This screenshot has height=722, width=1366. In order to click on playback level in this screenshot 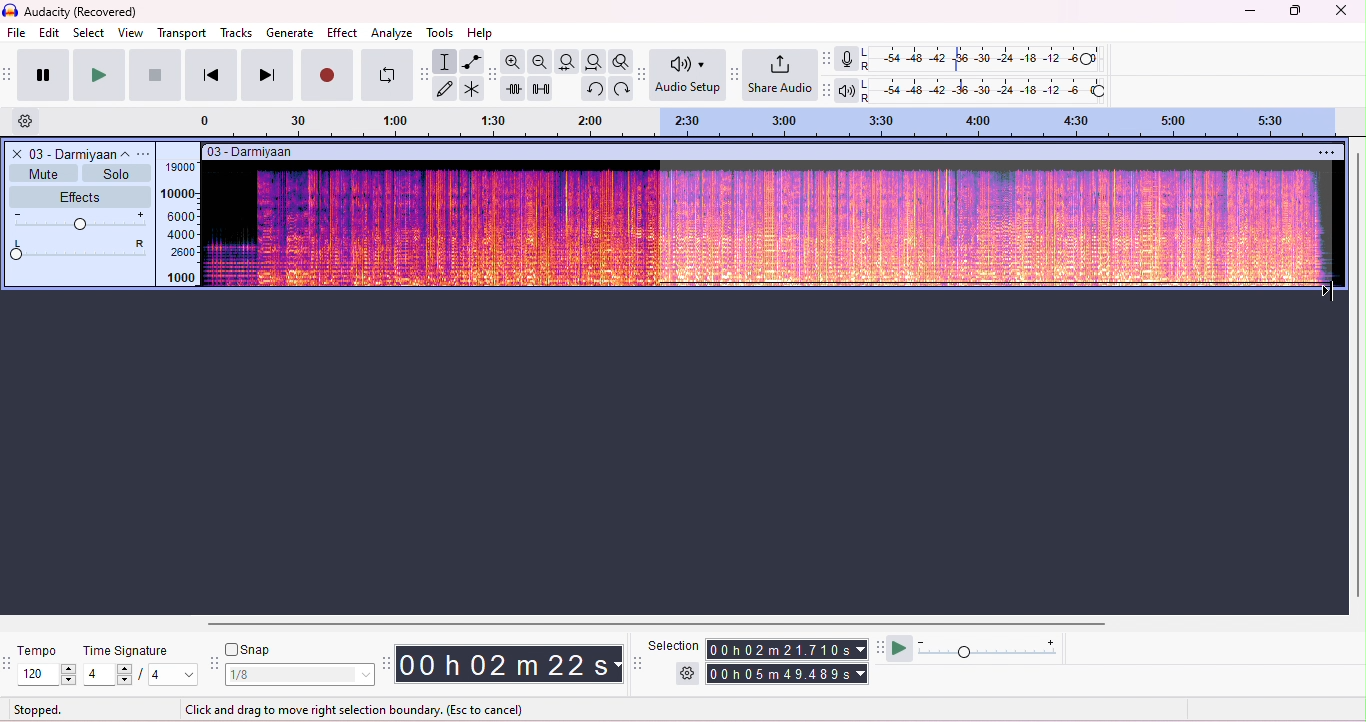, I will do `click(986, 89)`.